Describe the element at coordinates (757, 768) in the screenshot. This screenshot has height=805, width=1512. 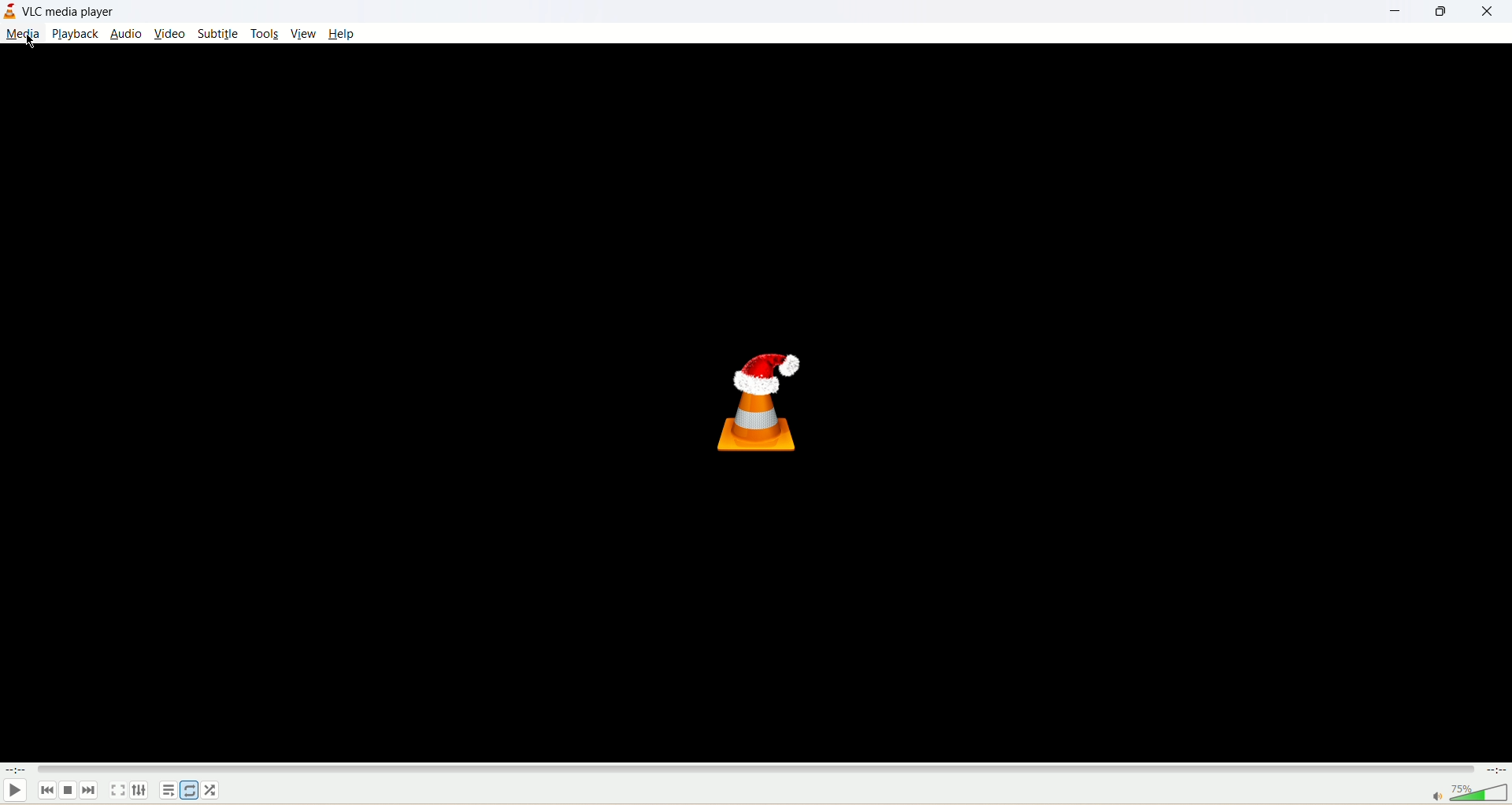
I see `progress bar` at that location.